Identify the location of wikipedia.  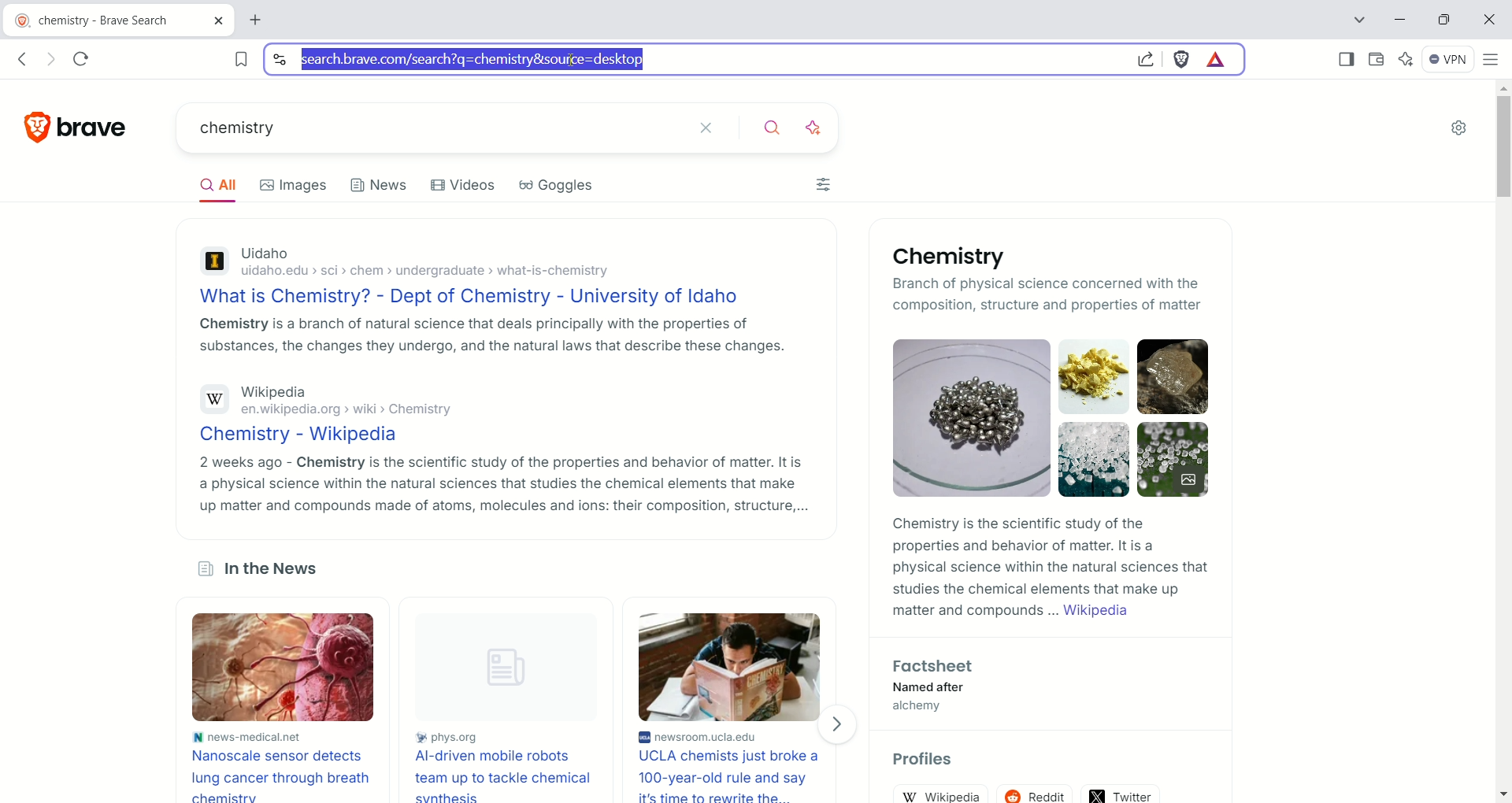
(939, 793).